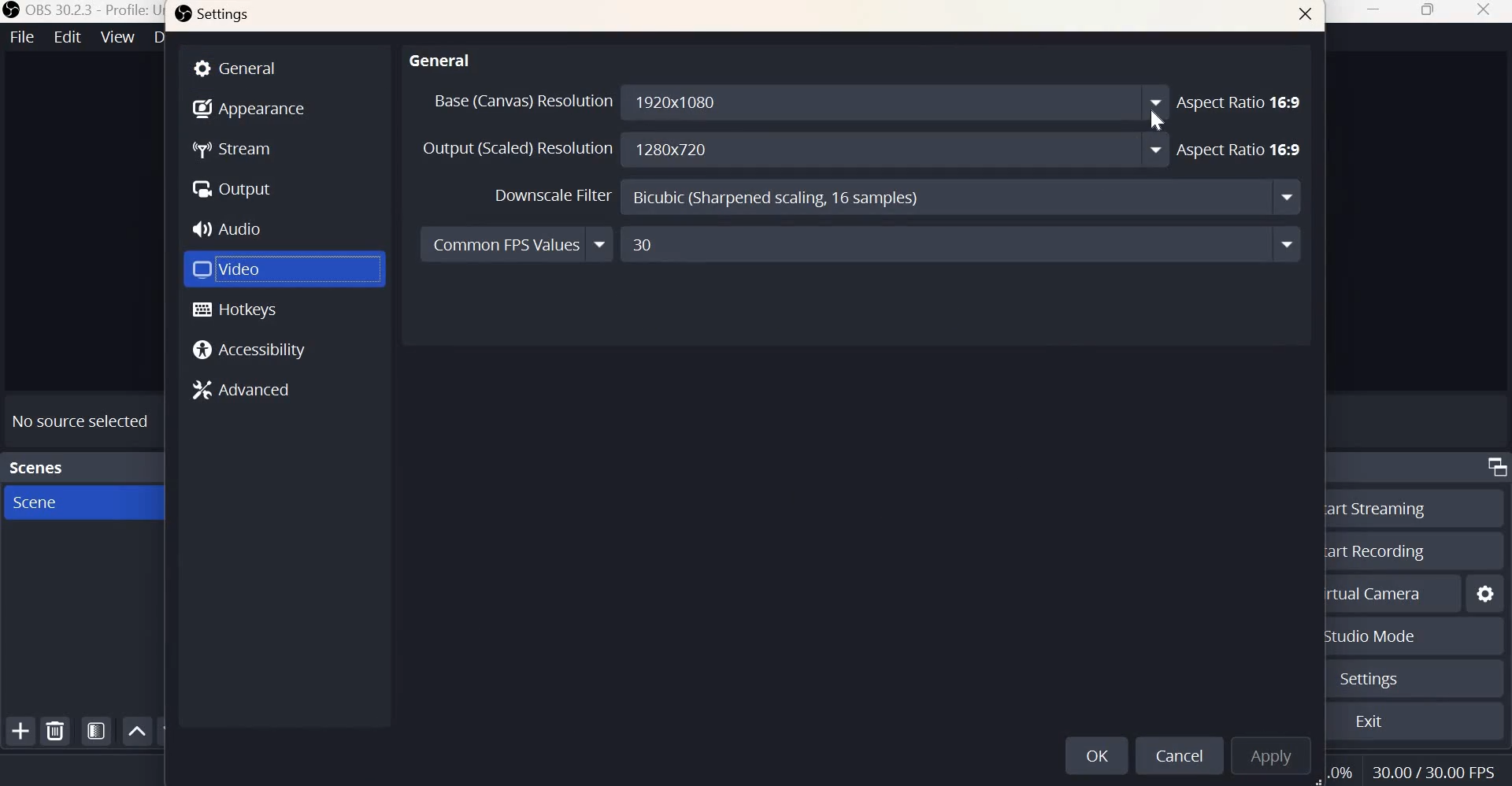 Image resolution: width=1512 pixels, height=786 pixels. I want to click on Apply, so click(1271, 754).